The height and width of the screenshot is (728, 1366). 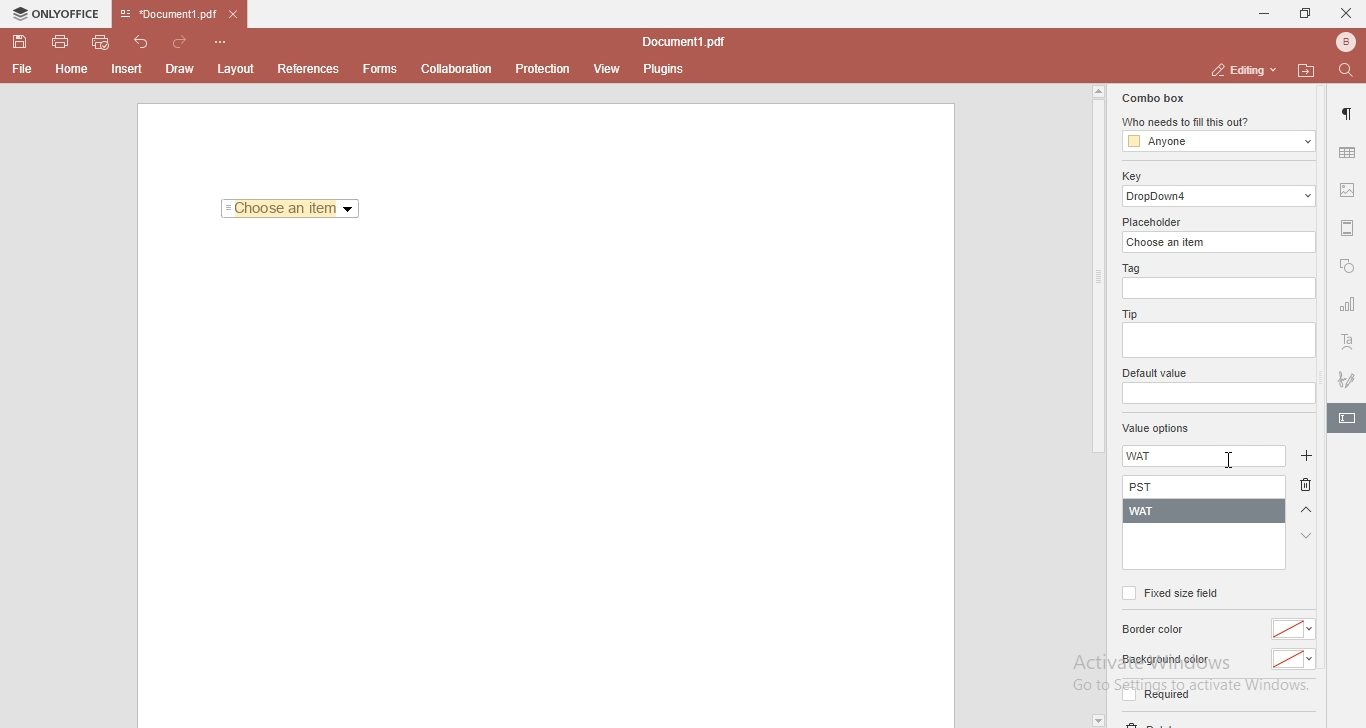 What do you see at coordinates (1169, 593) in the screenshot?
I see `fixed size field` at bounding box center [1169, 593].